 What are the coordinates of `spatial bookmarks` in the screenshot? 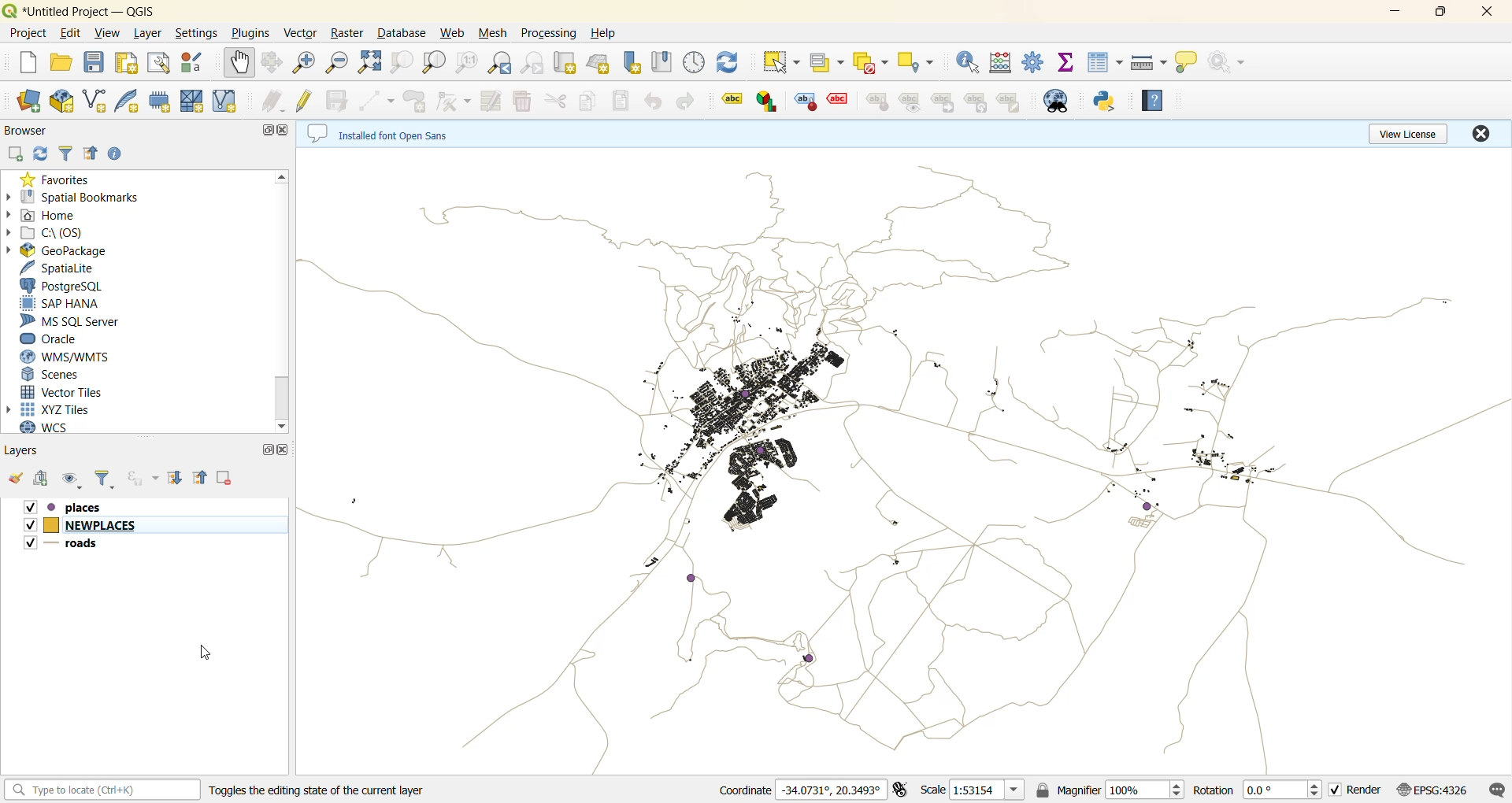 It's located at (81, 196).